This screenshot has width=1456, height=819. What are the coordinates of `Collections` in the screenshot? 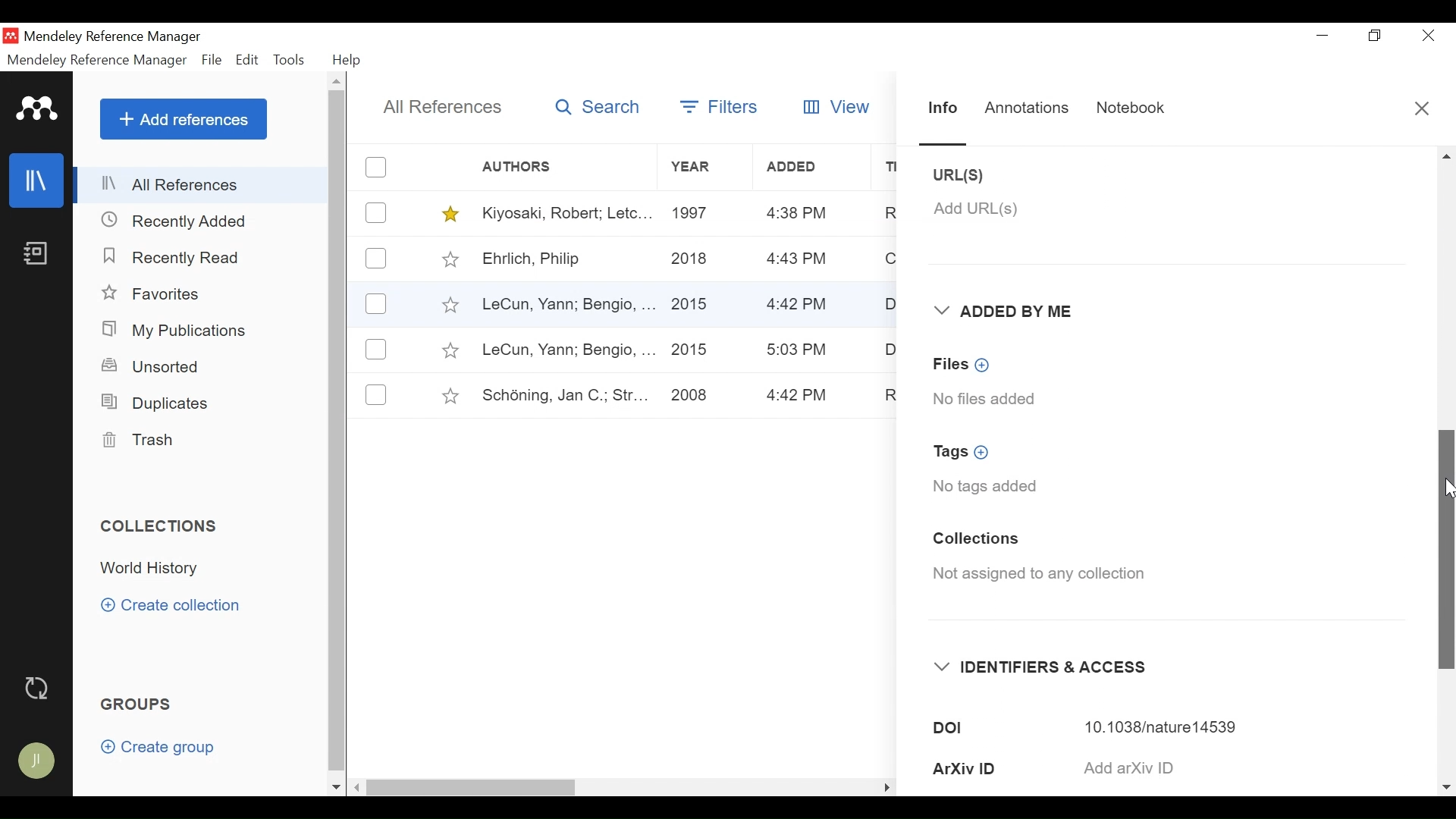 It's located at (975, 541).